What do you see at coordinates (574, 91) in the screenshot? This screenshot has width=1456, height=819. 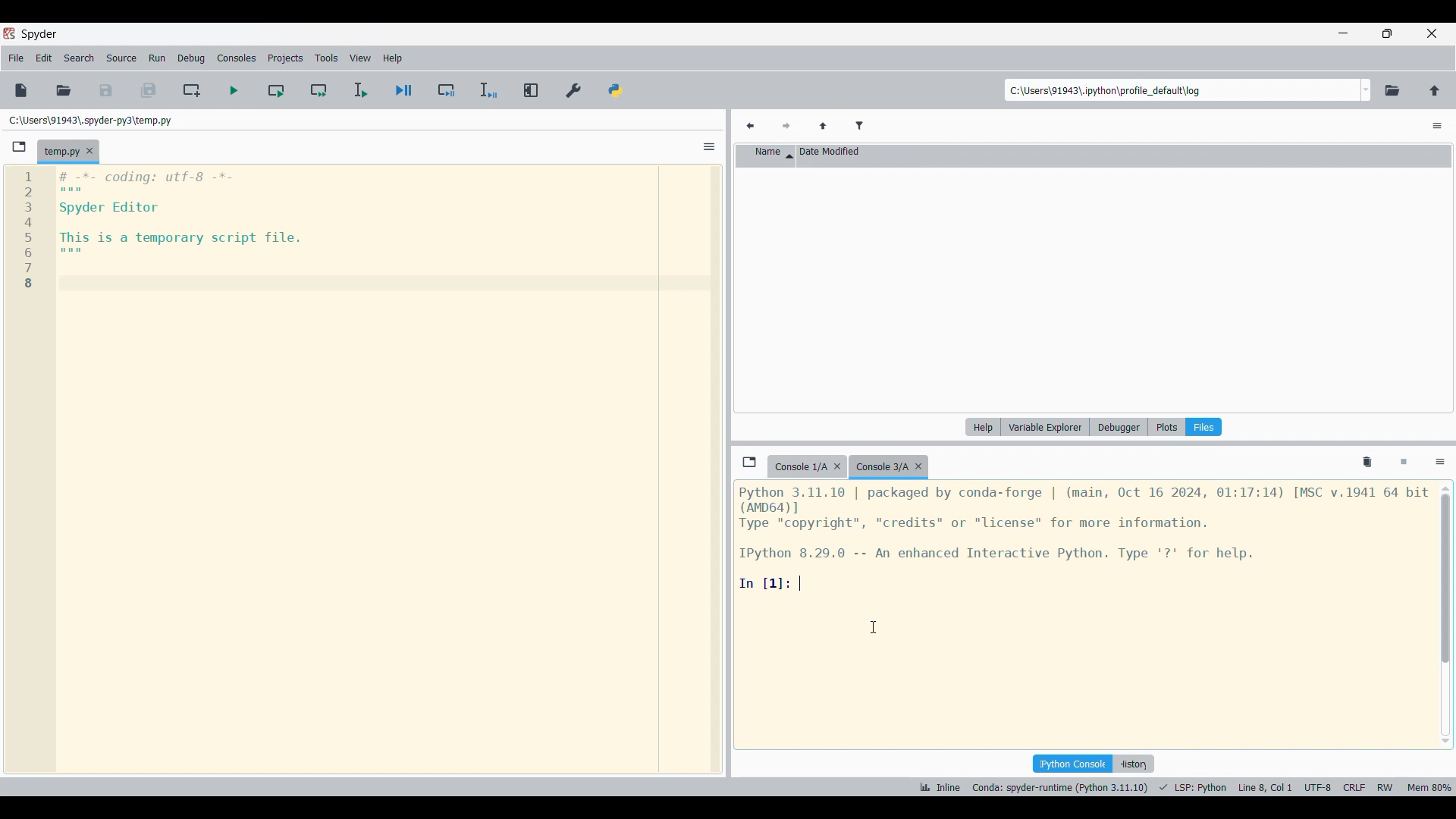 I see `Preferences` at bounding box center [574, 91].